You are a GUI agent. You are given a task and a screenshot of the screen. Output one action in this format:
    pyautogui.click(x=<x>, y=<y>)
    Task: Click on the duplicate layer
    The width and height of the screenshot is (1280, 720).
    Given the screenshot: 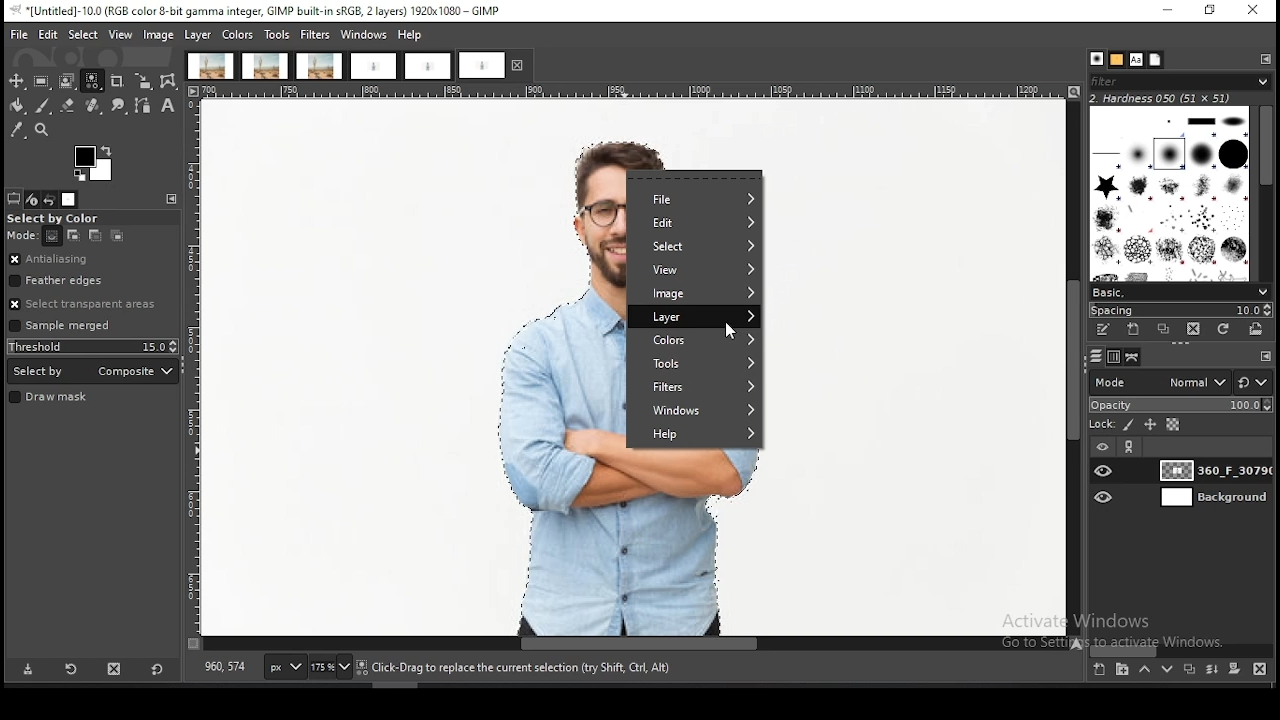 What is the action you would take?
    pyautogui.click(x=1187, y=668)
    